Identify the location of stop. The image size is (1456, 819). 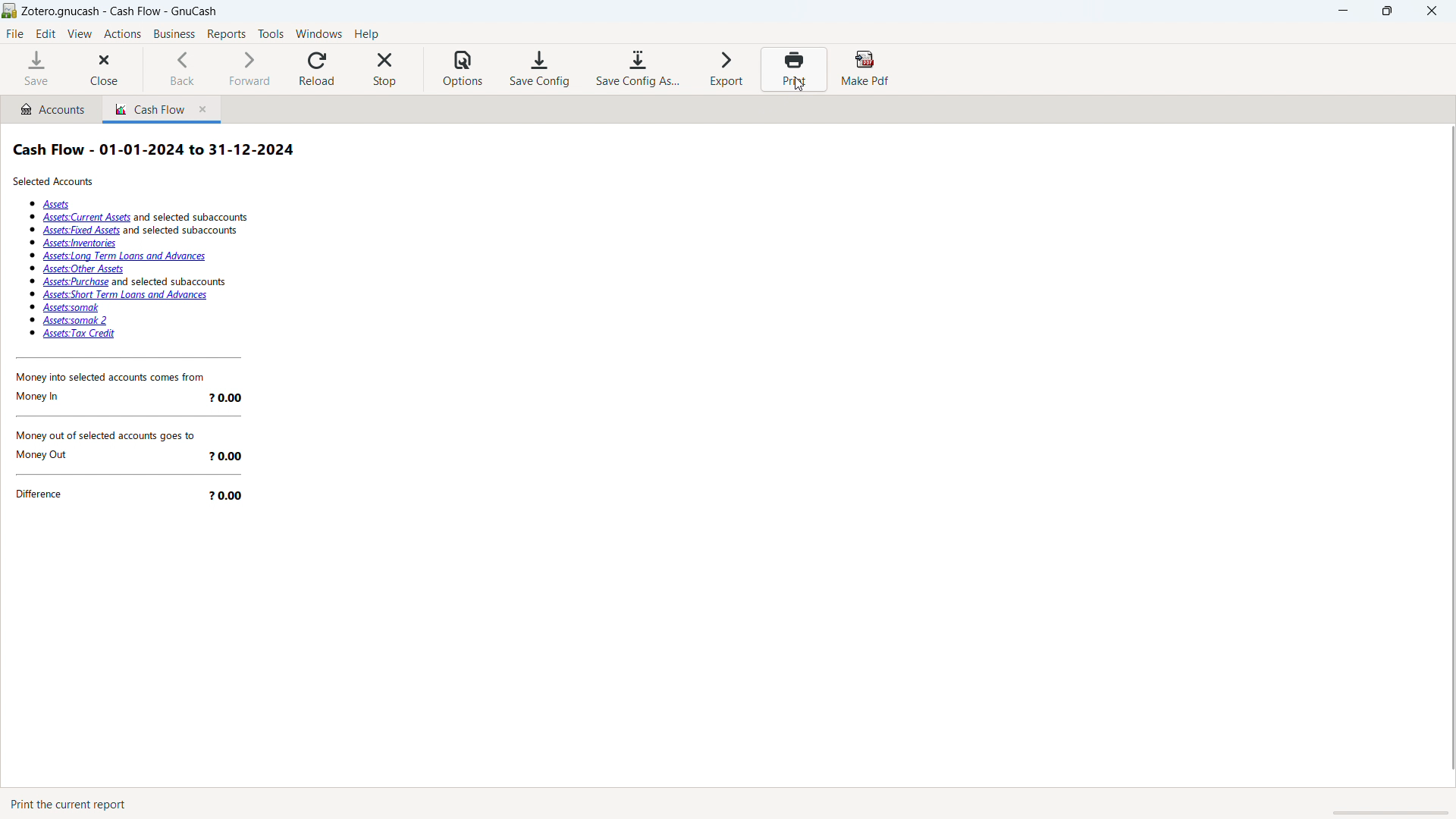
(385, 70).